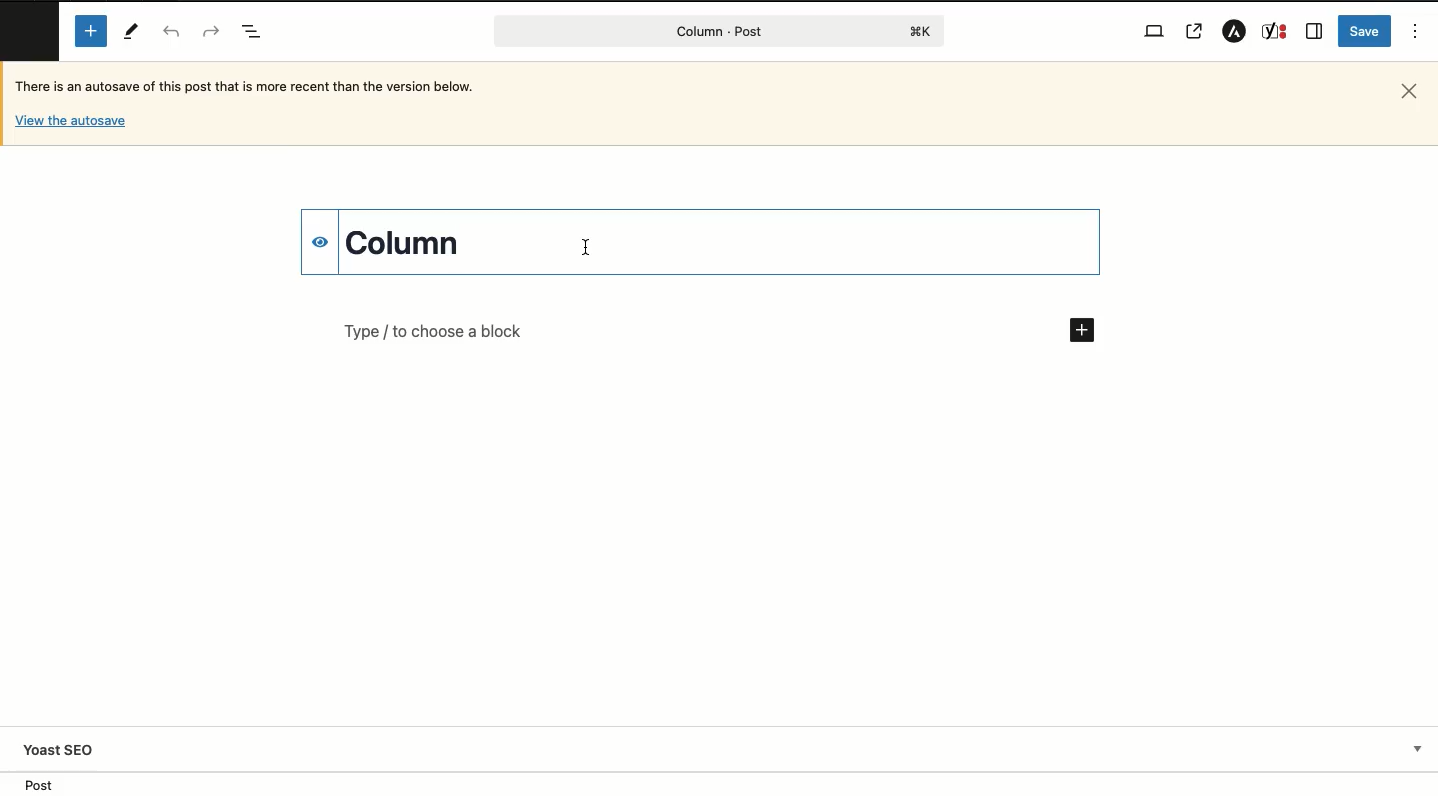 This screenshot has width=1438, height=796. I want to click on Document overview, so click(252, 29).